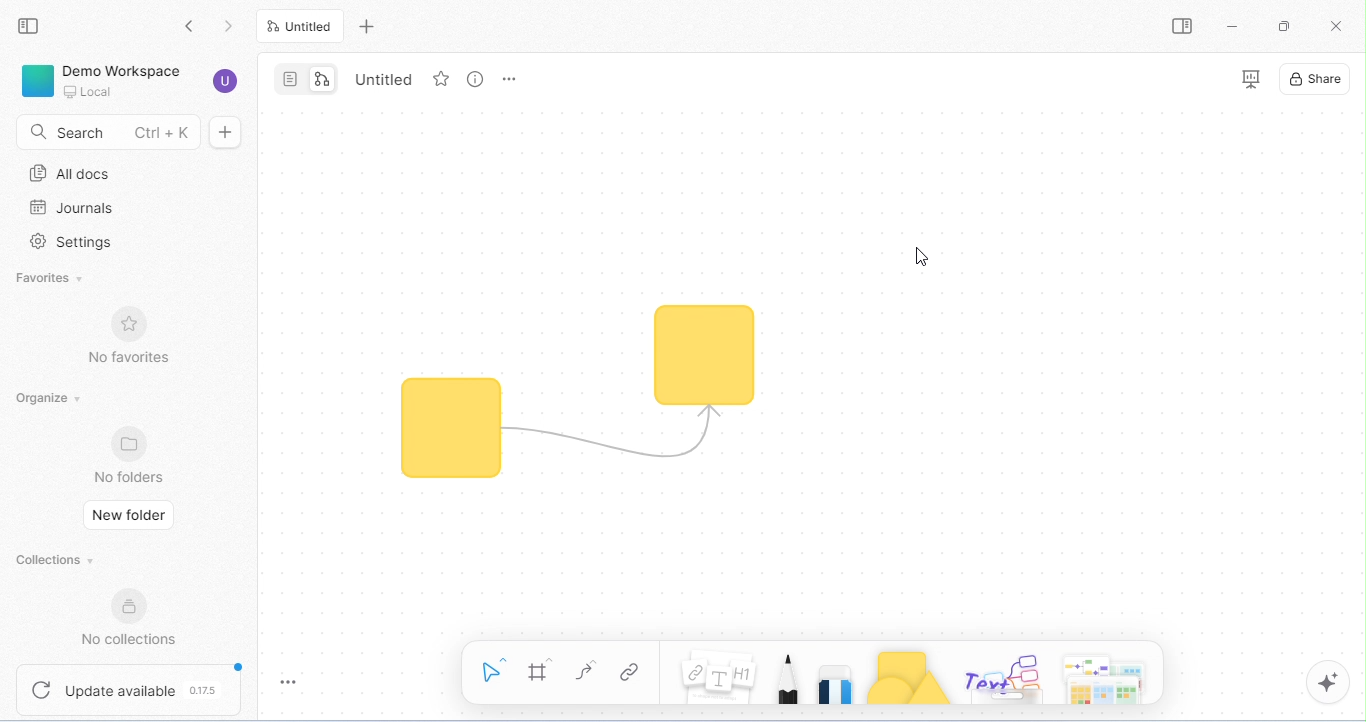 The width and height of the screenshot is (1366, 722). Describe the element at coordinates (496, 669) in the screenshot. I see `select` at that location.